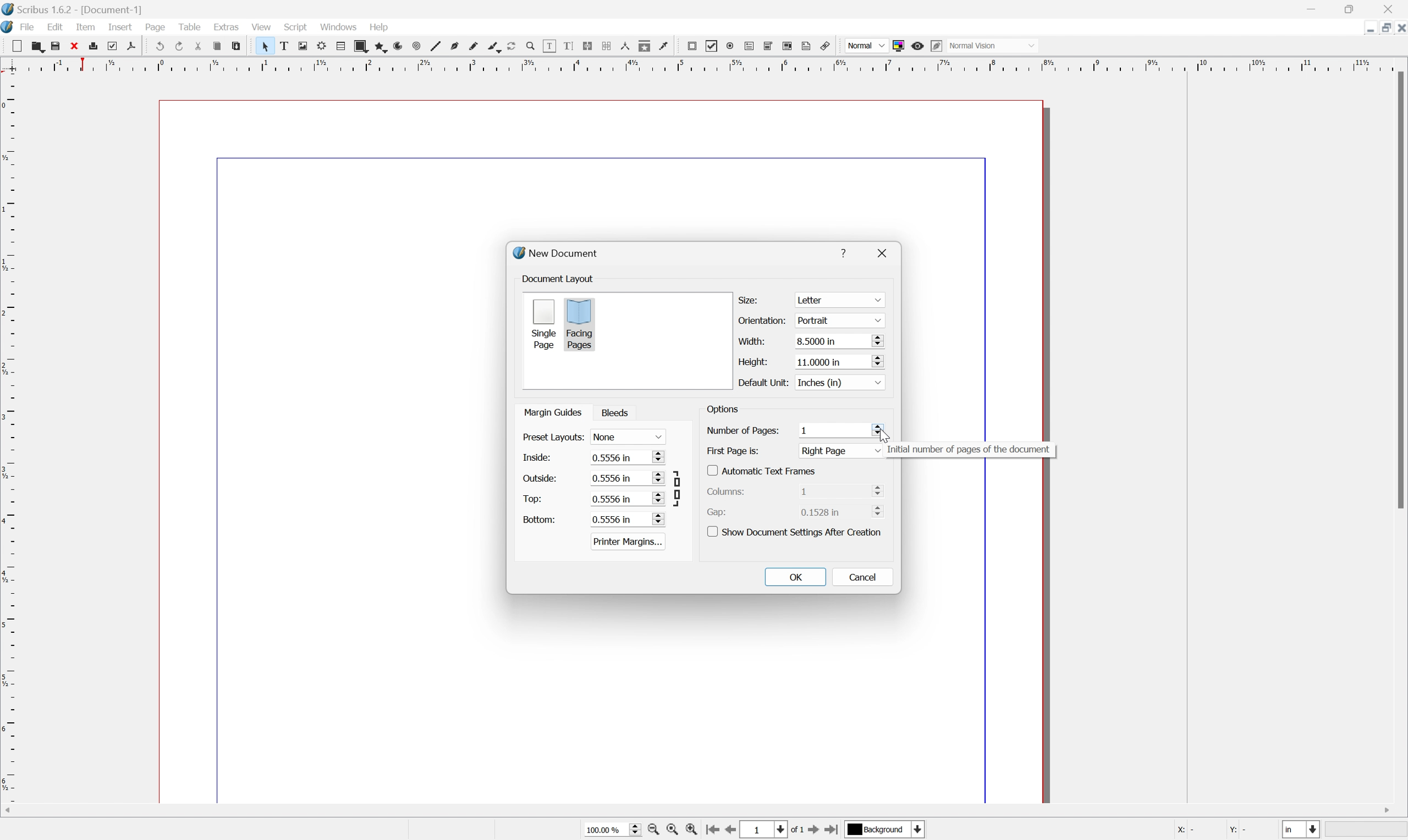  What do you see at coordinates (453, 46) in the screenshot?
I see `Bezier curve` at bounding box center [453, 46].